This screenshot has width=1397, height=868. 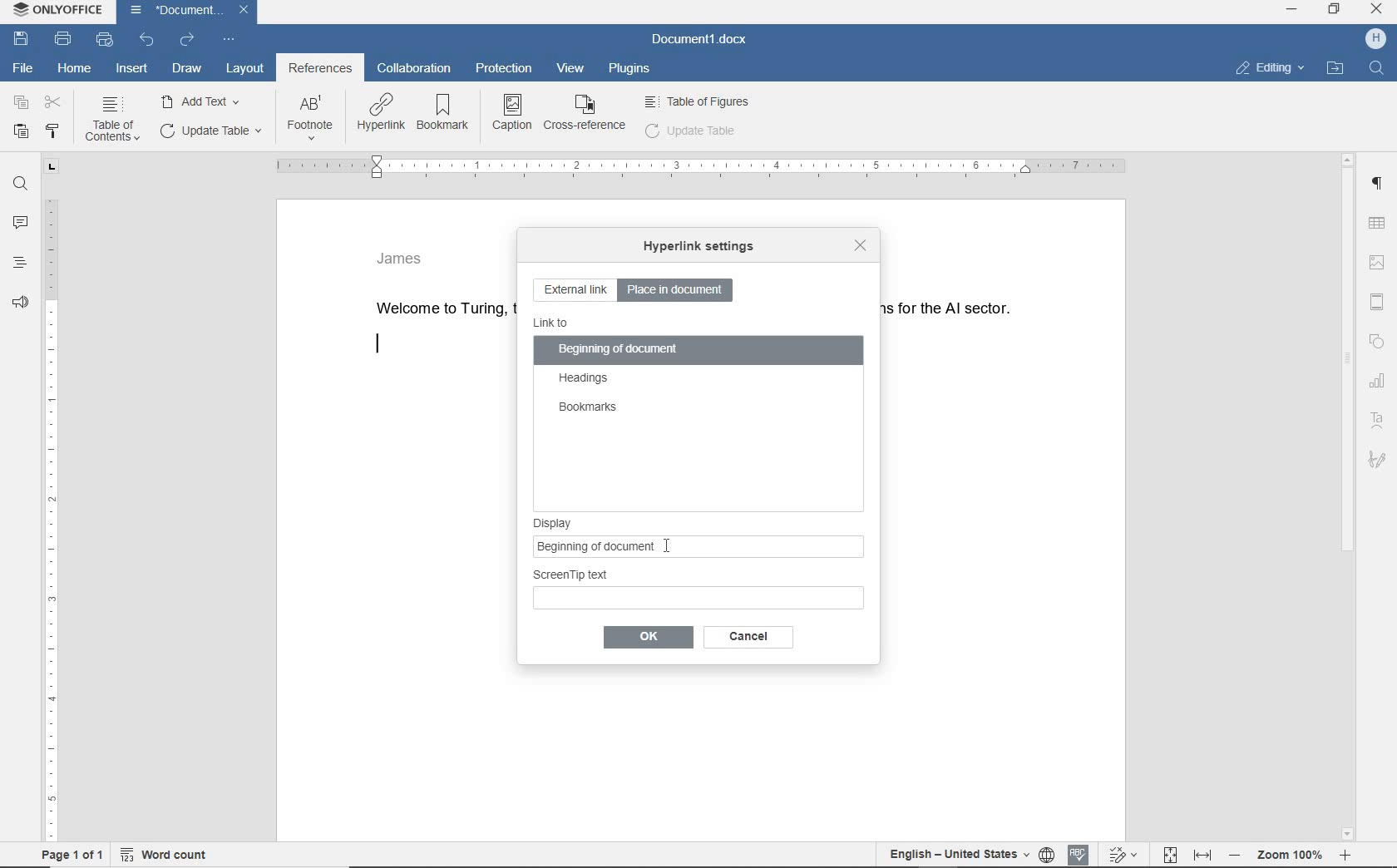 What do you see at coordinates (744, 637) in the screenshot?
I see `ok` at bounding box center [744, 637].